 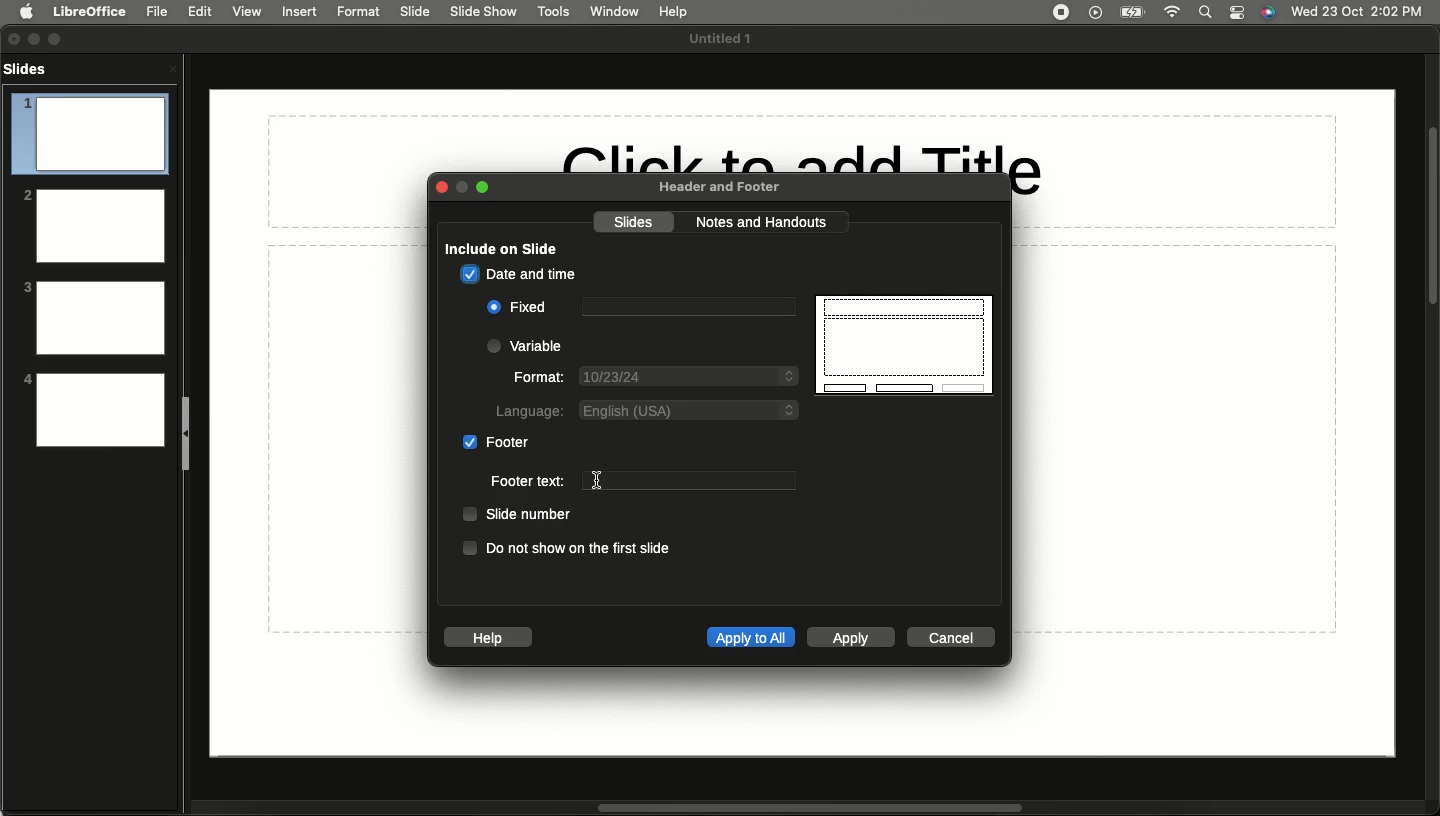 I want to click on 1, so click(x=89, y=134).